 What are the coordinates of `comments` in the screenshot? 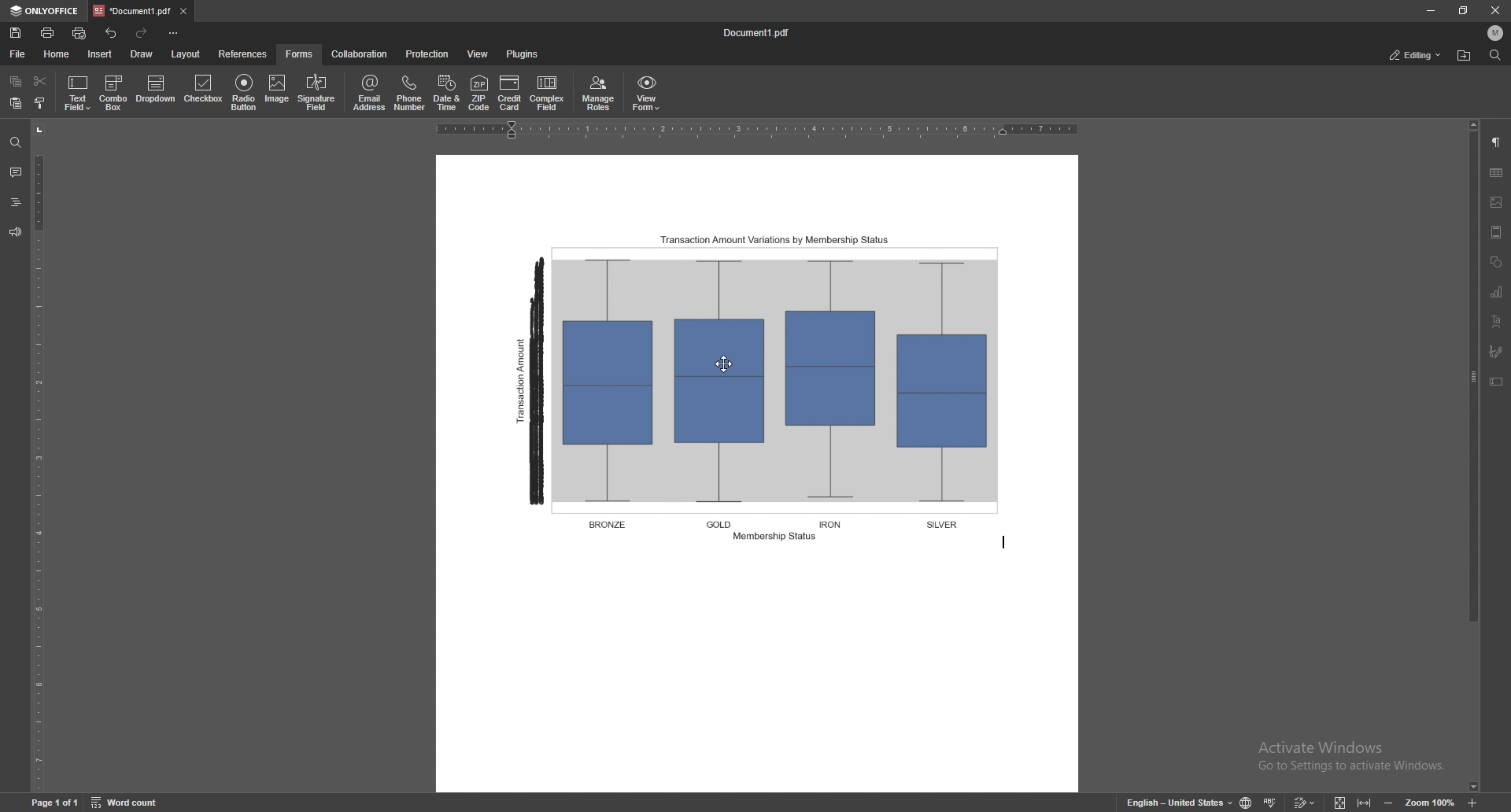 It's located at (14, 171).